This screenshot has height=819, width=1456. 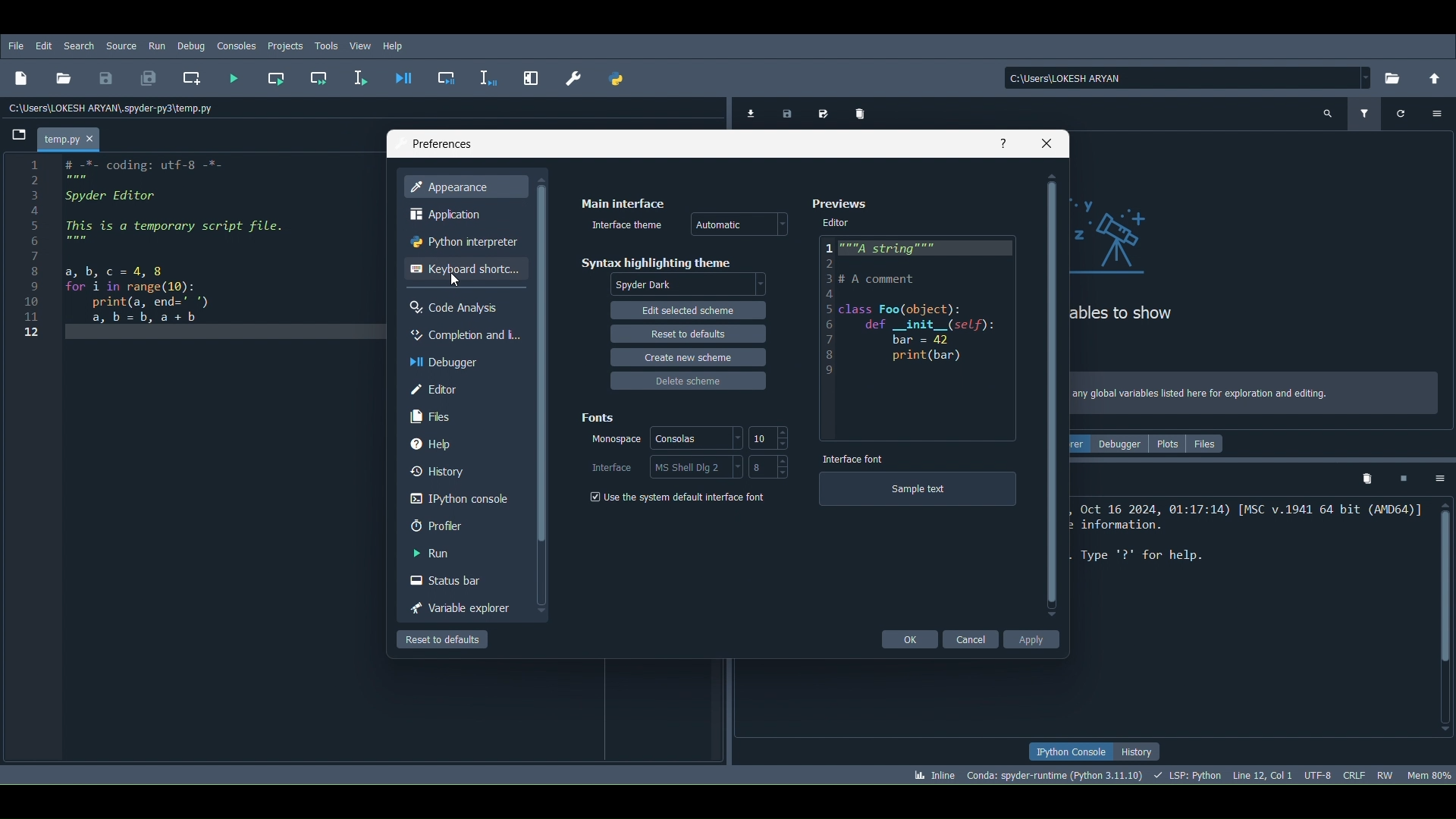 I want to click on File name, so click(x=72, y=137).